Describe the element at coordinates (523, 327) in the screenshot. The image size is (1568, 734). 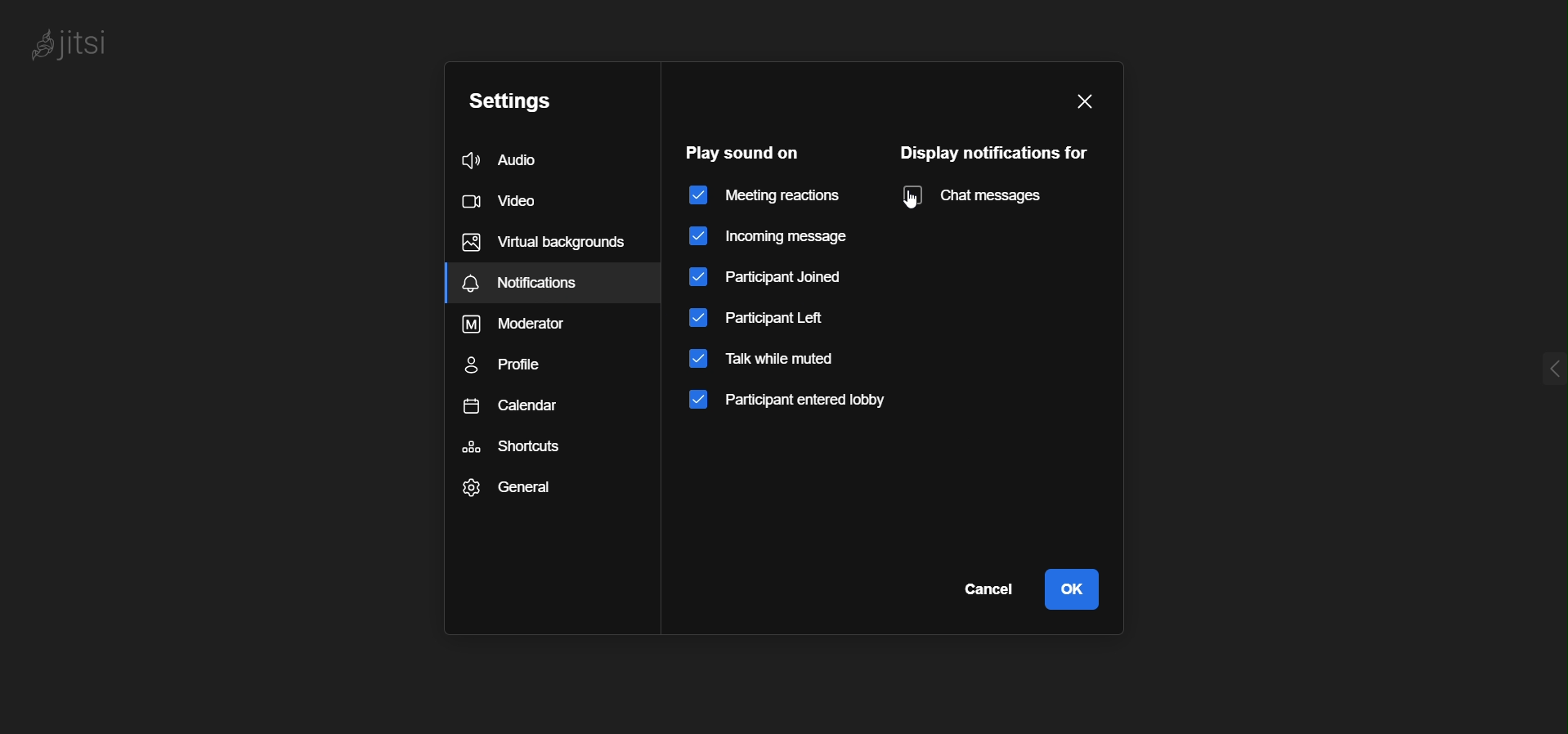
I see `moderator` at that location.